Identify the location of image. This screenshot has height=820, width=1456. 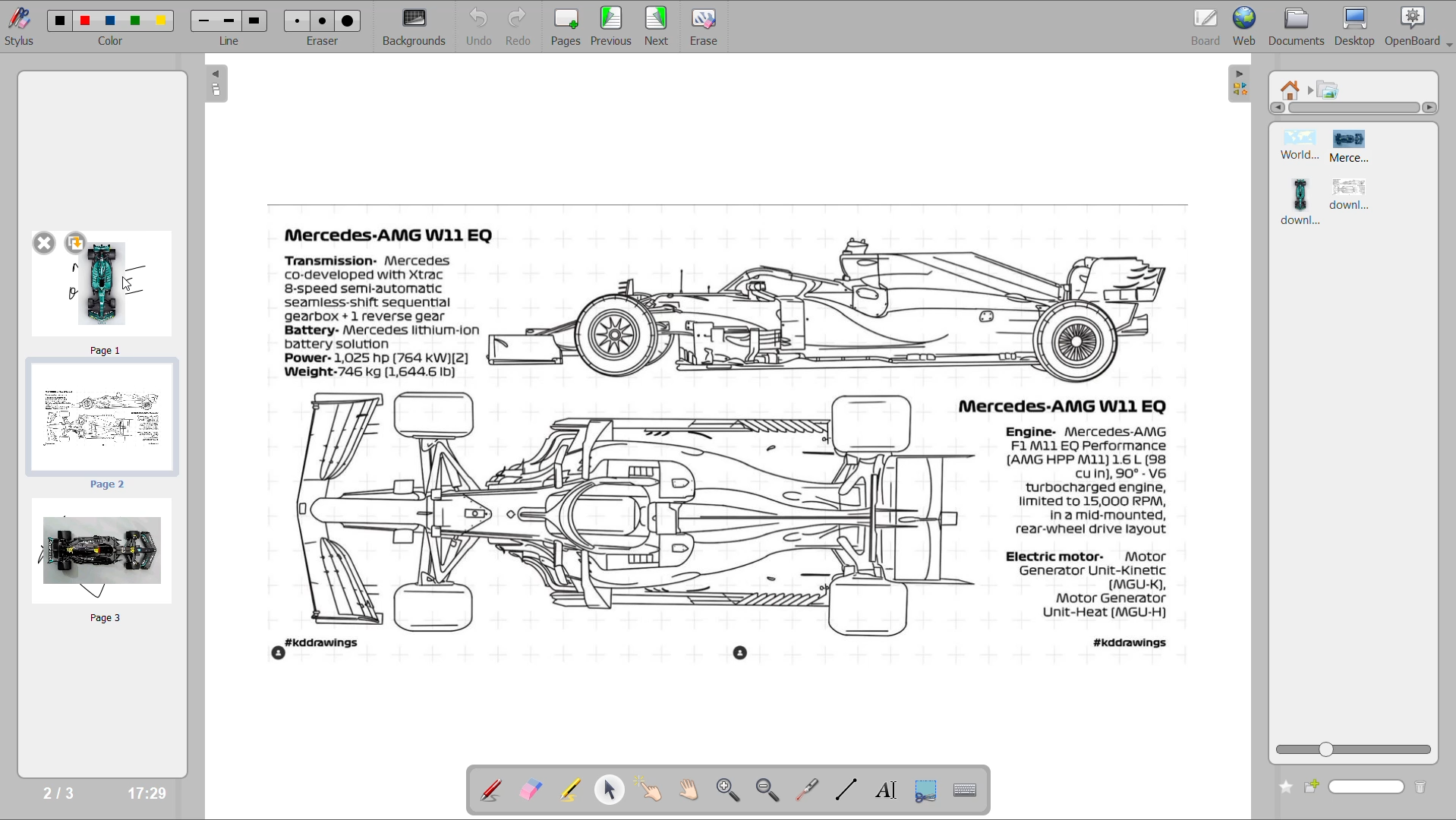
(738, 655).